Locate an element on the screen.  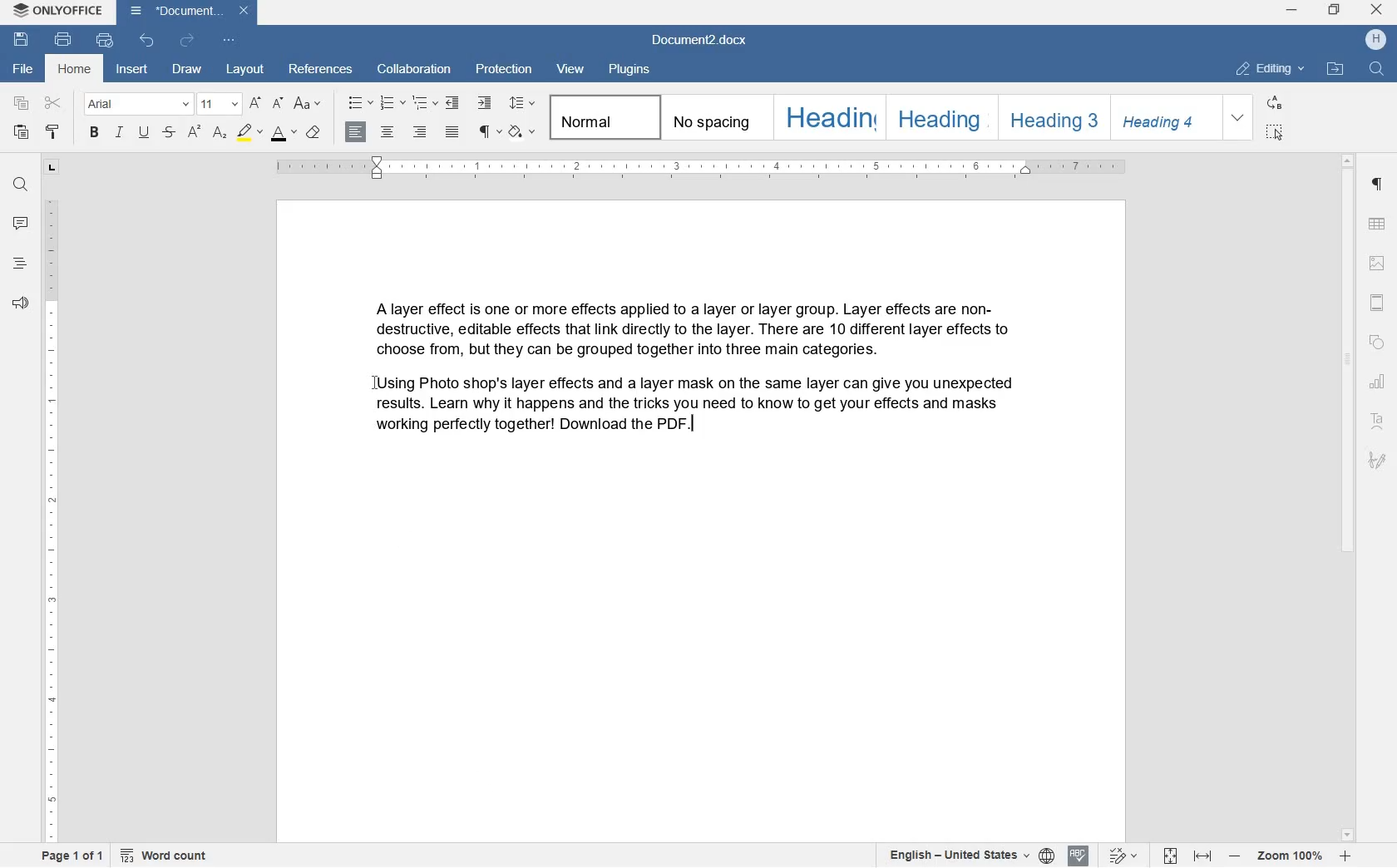
COPY STYLE is located at coordinates (55, 133).